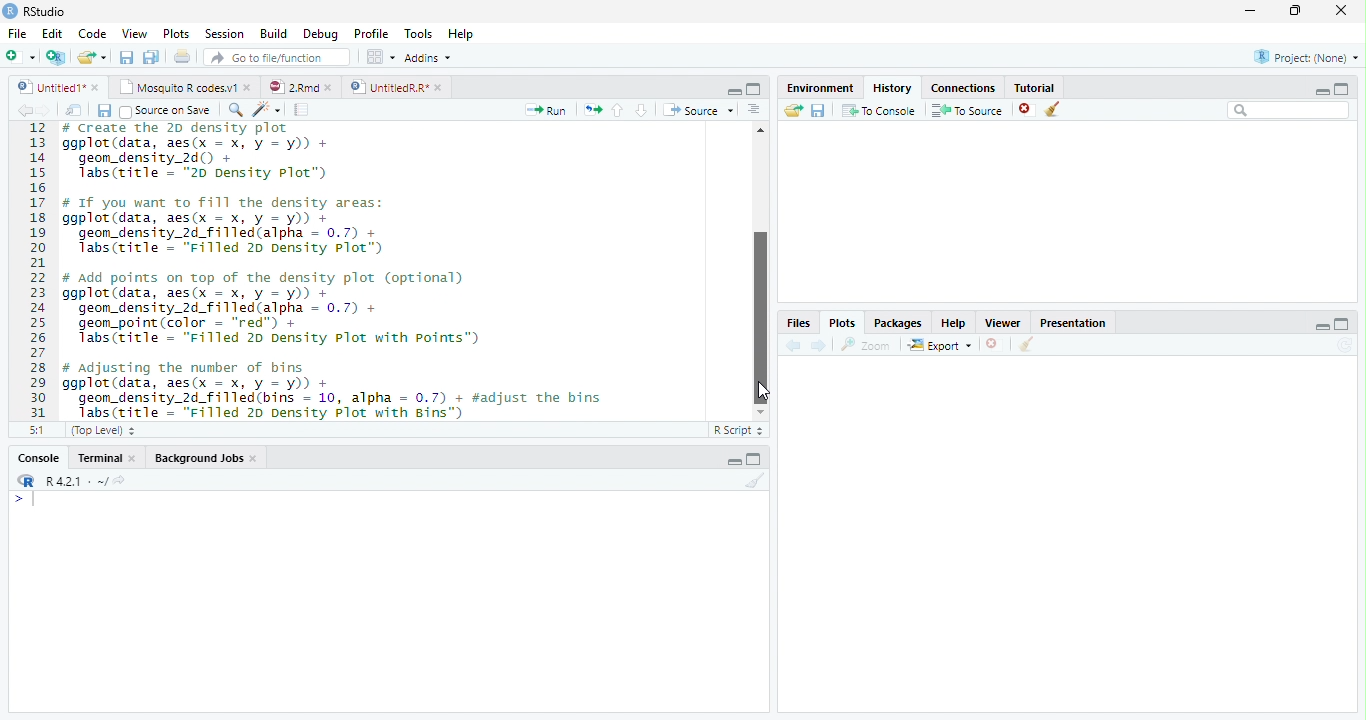 The height and width of the screenshot is (720, 1366). Describe the element at coordinates (175, 33) in the screenshot. I see `Plots` at that location.